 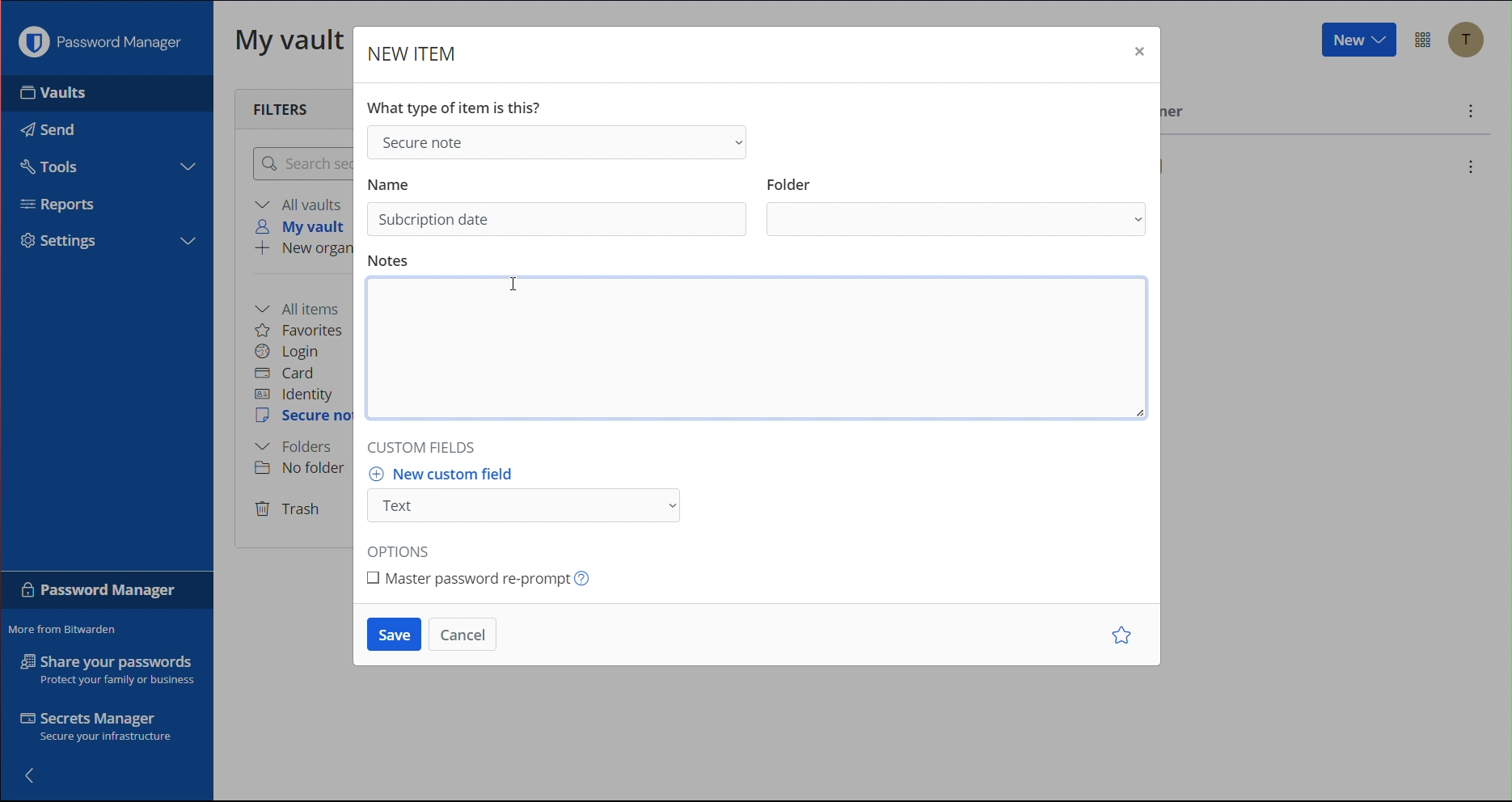 I want to click on Master password prompt, so click(x=485, y=576).